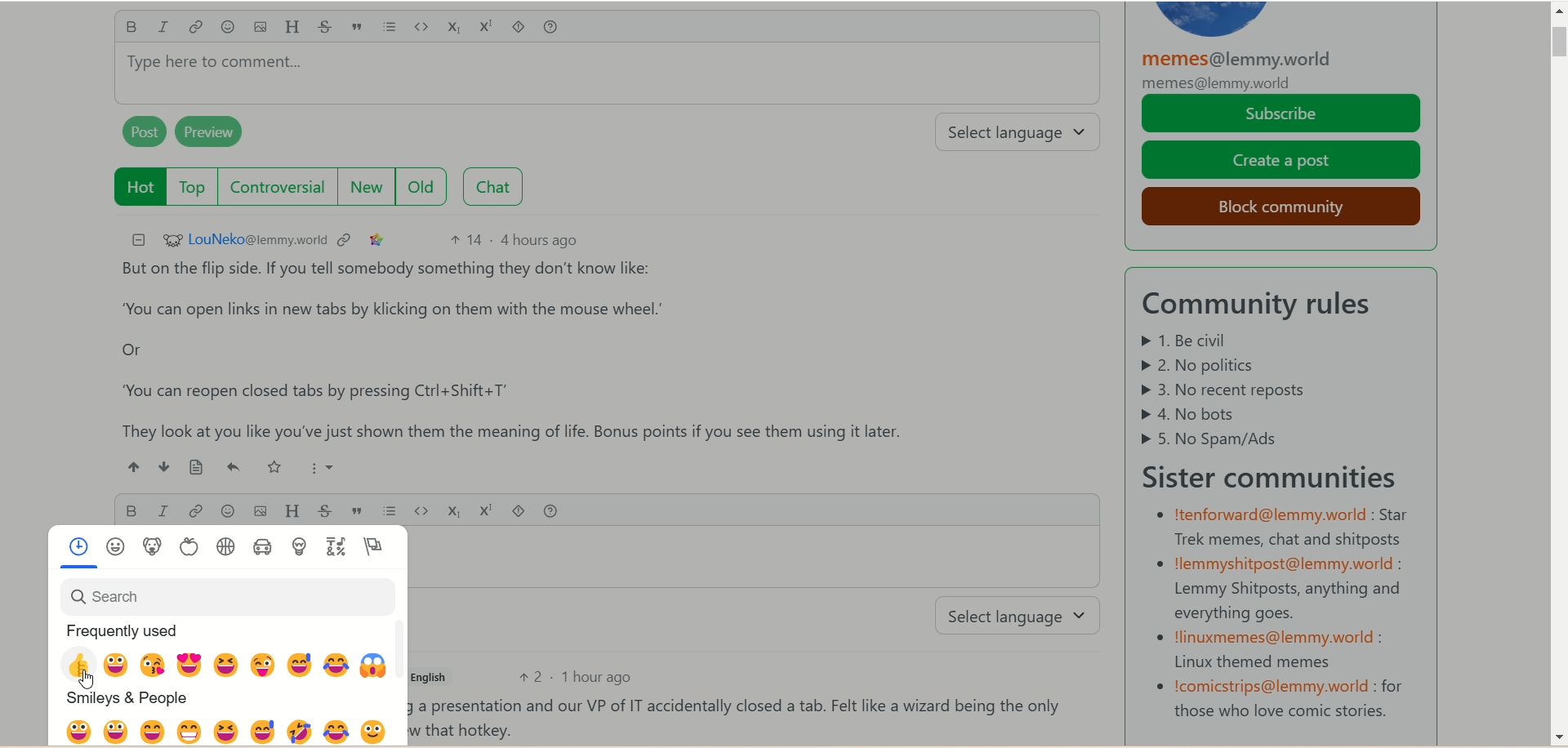 The image size is (1568, 748). What do you see at coordinates (83, 690) in the screenshot?
I see `Pointer` at bounding box center [83, 690].